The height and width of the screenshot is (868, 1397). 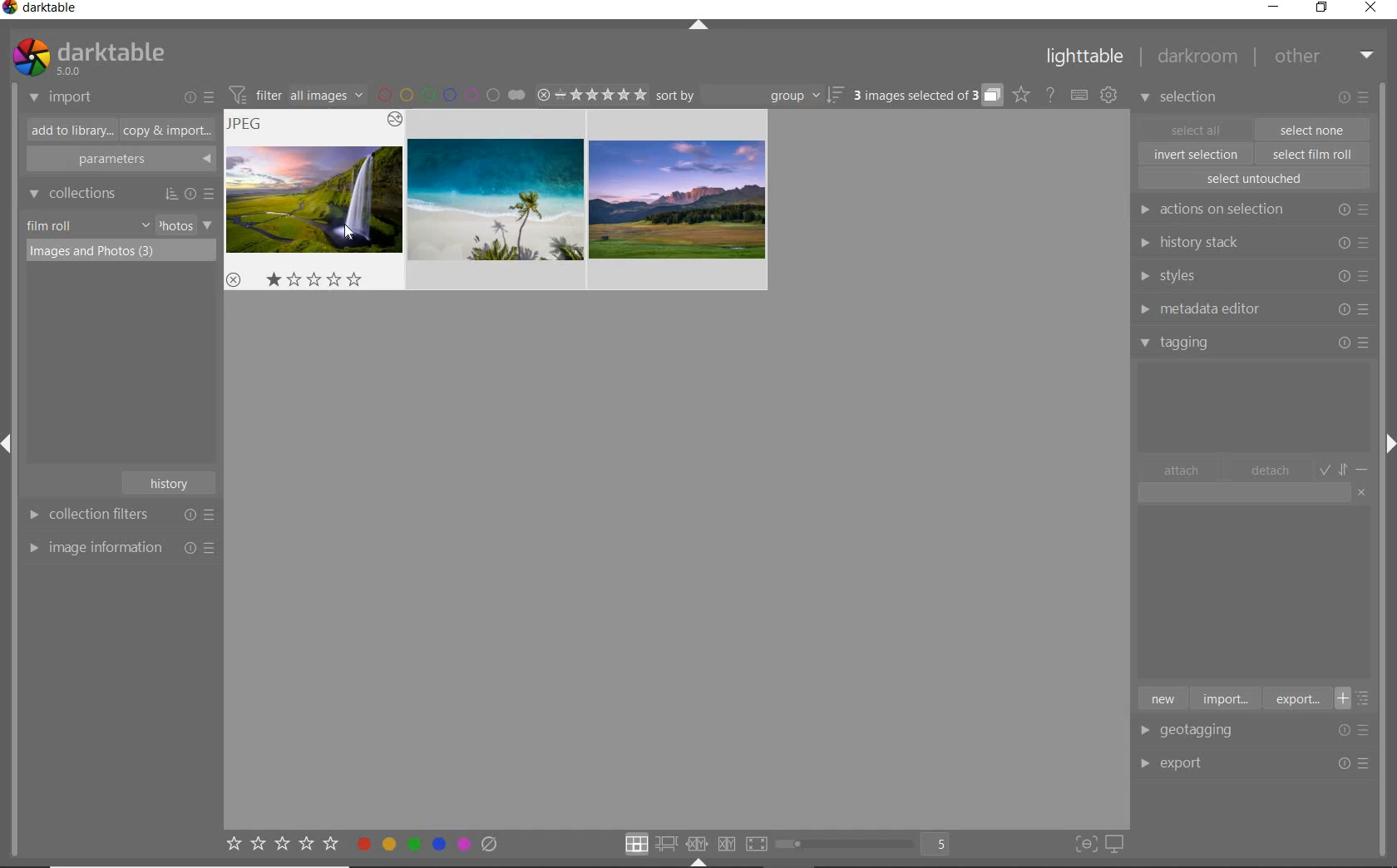 I want to click on Expand, so click(x=1387, y=440).